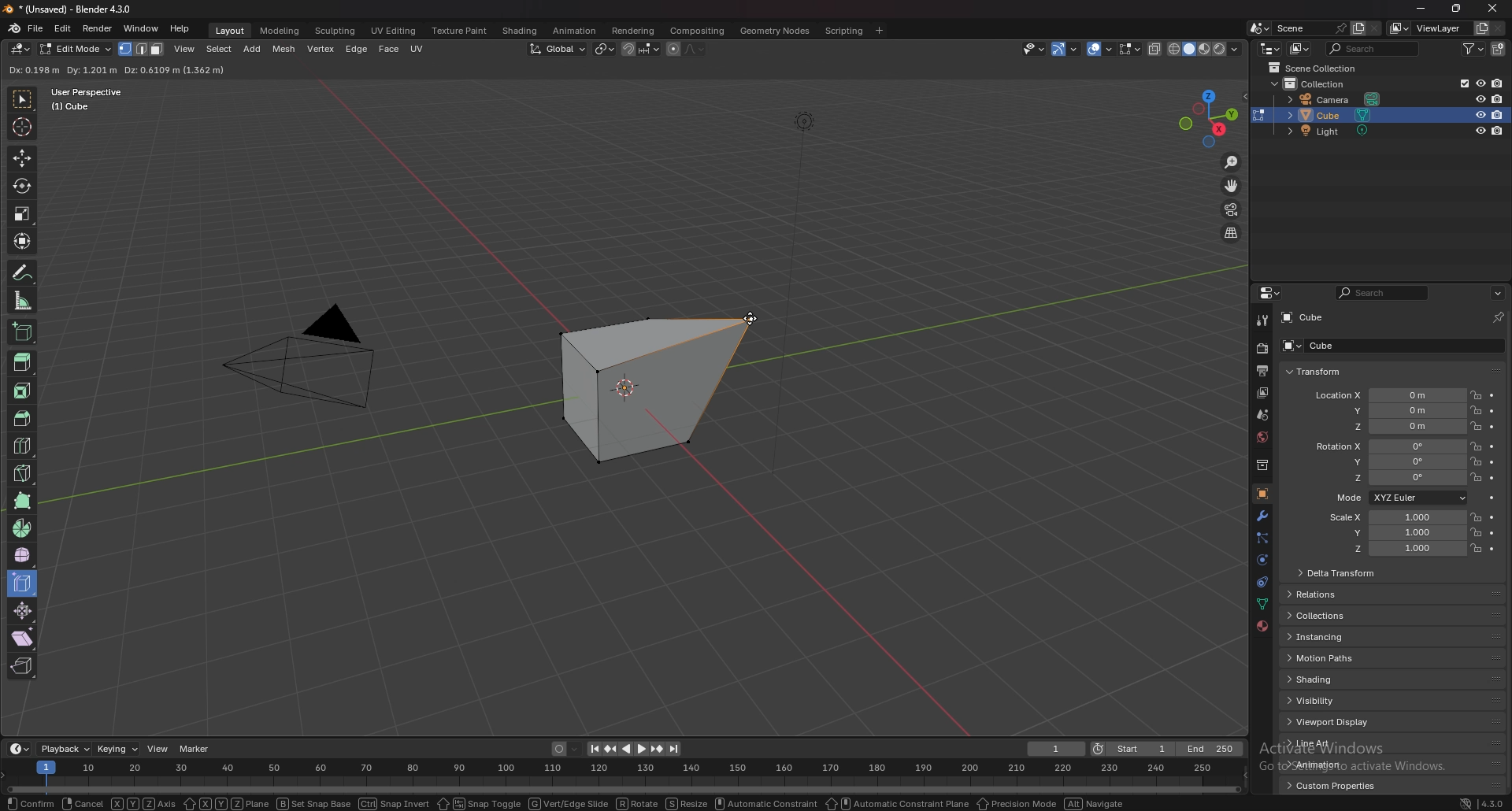 The width and height of the screenshot is (1512, 811). What do you see at coordinates (1211, 749) in the screenshot?
I see `end frame` at bounding box center [1211, 749].